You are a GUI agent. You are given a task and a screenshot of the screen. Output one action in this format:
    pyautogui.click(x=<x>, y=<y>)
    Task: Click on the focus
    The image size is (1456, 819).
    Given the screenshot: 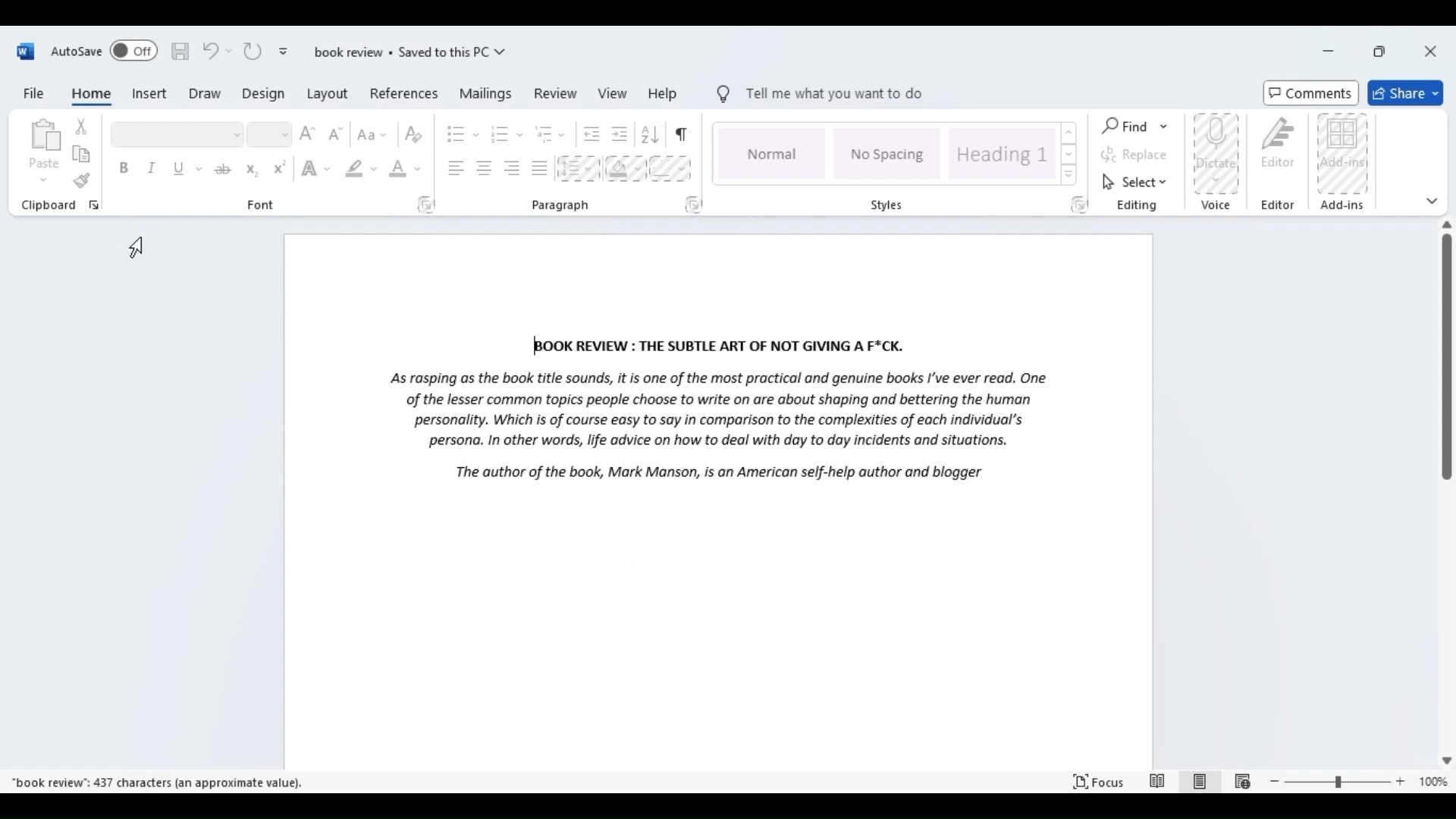 What is the action you would take?
    pyautogui.click(x=1161, y=780)
    